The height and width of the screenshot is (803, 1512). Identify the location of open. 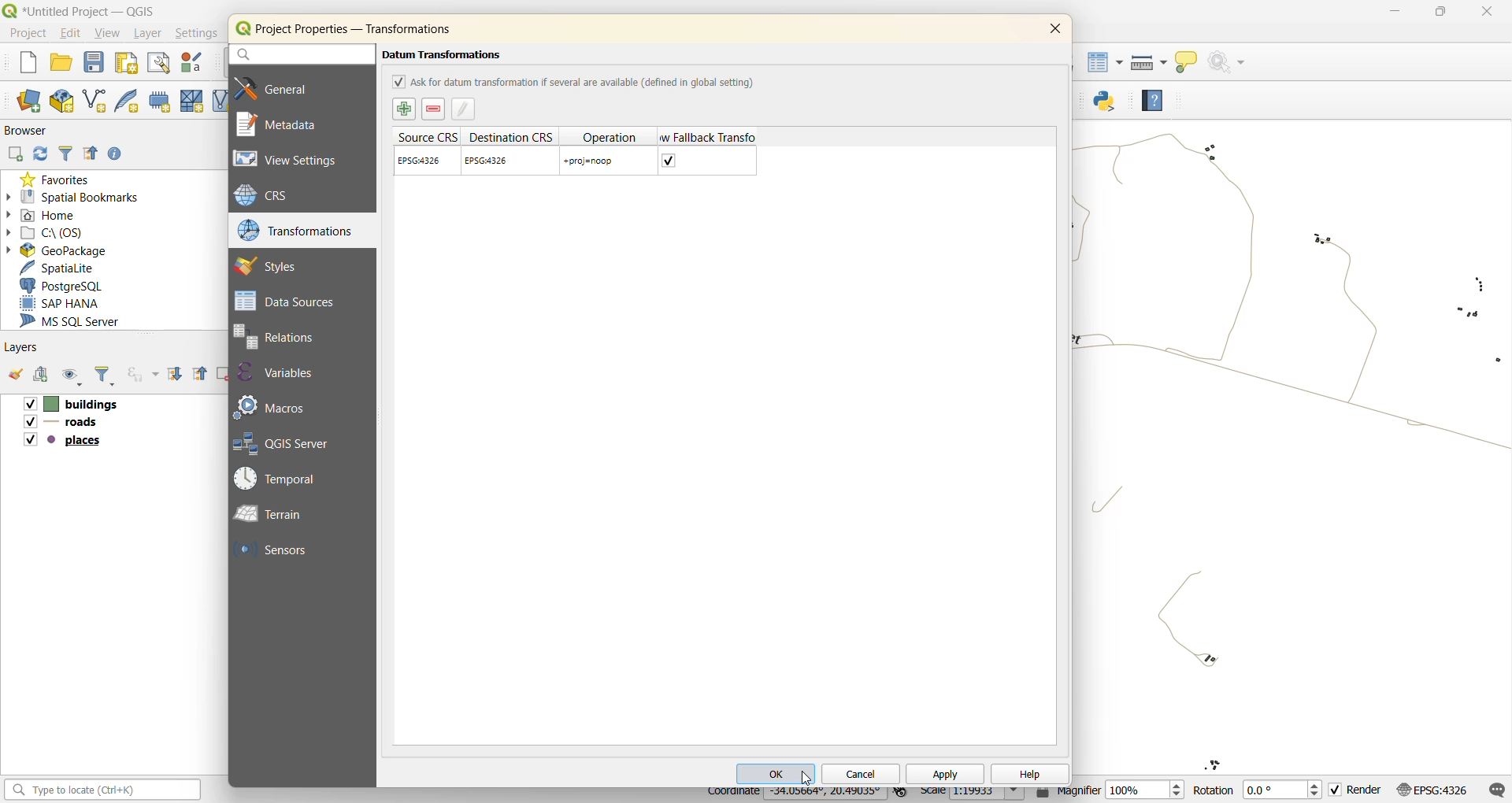
(63, 61).